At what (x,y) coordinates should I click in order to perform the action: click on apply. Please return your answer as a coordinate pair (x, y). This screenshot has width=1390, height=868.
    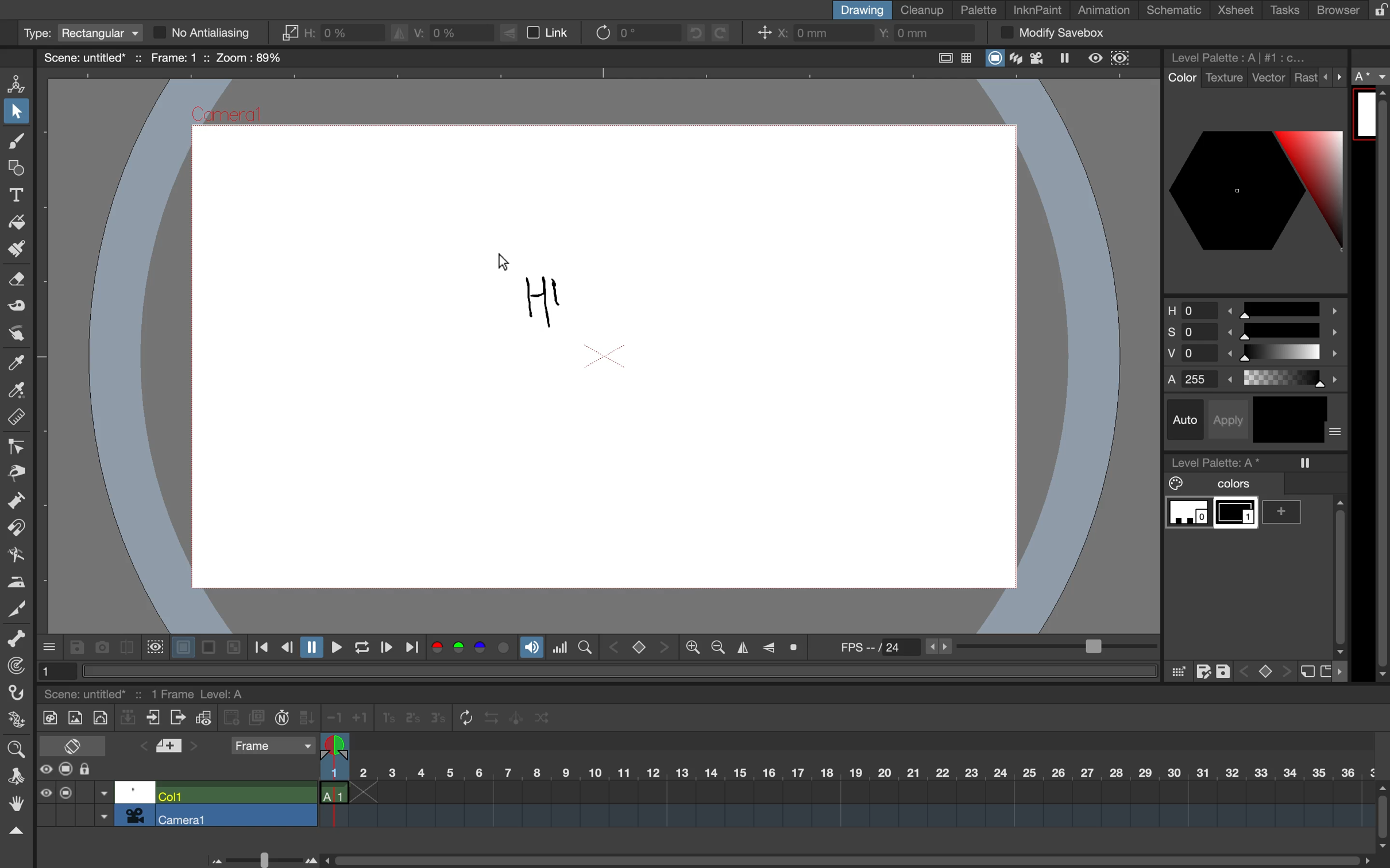
    Looking at the image, I should click on (1232, 418).